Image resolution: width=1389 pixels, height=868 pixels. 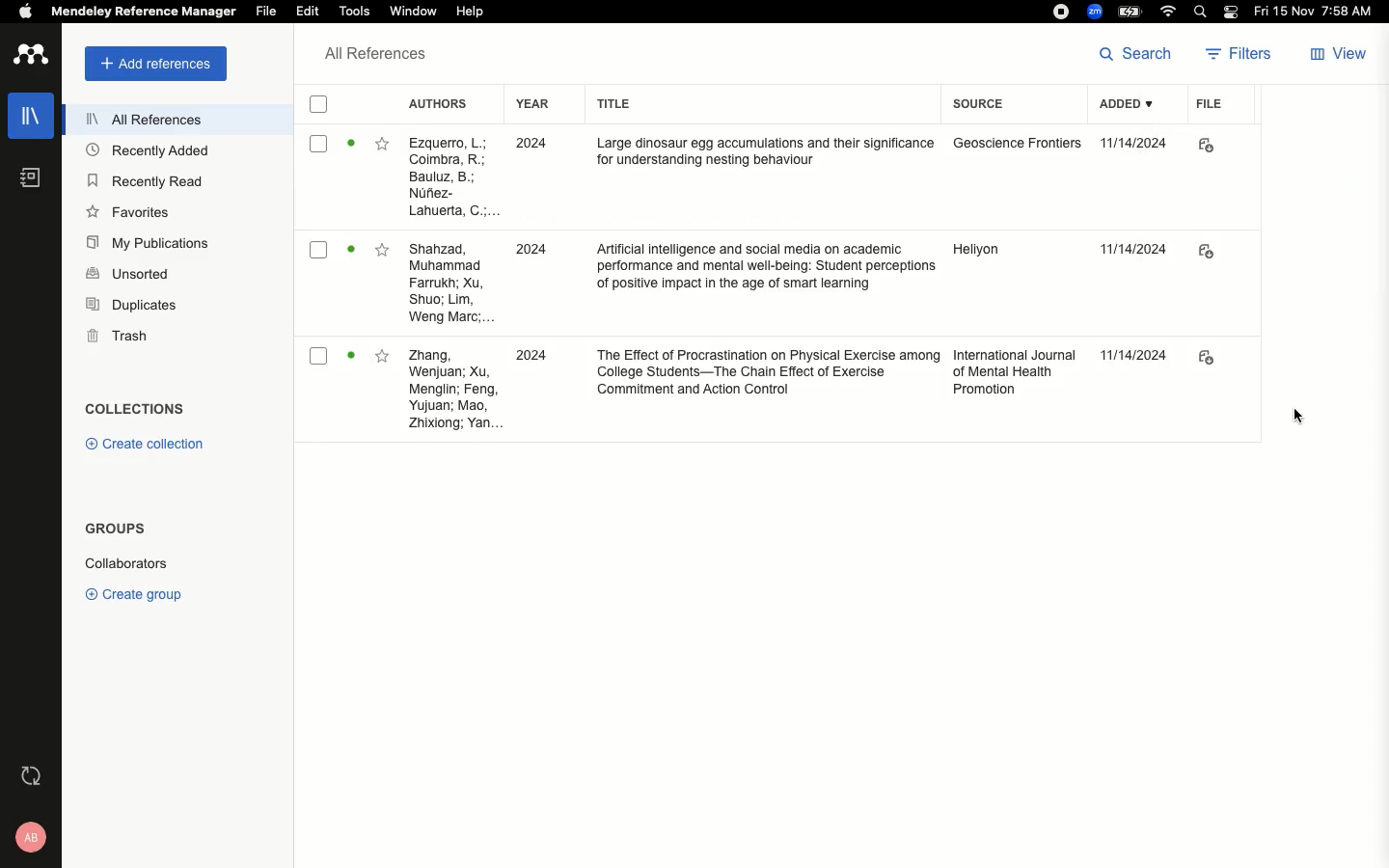 What do you see at coordinates (1141, 56) in the screenshot?
I see `Search` at bounding box center [1141, 56].